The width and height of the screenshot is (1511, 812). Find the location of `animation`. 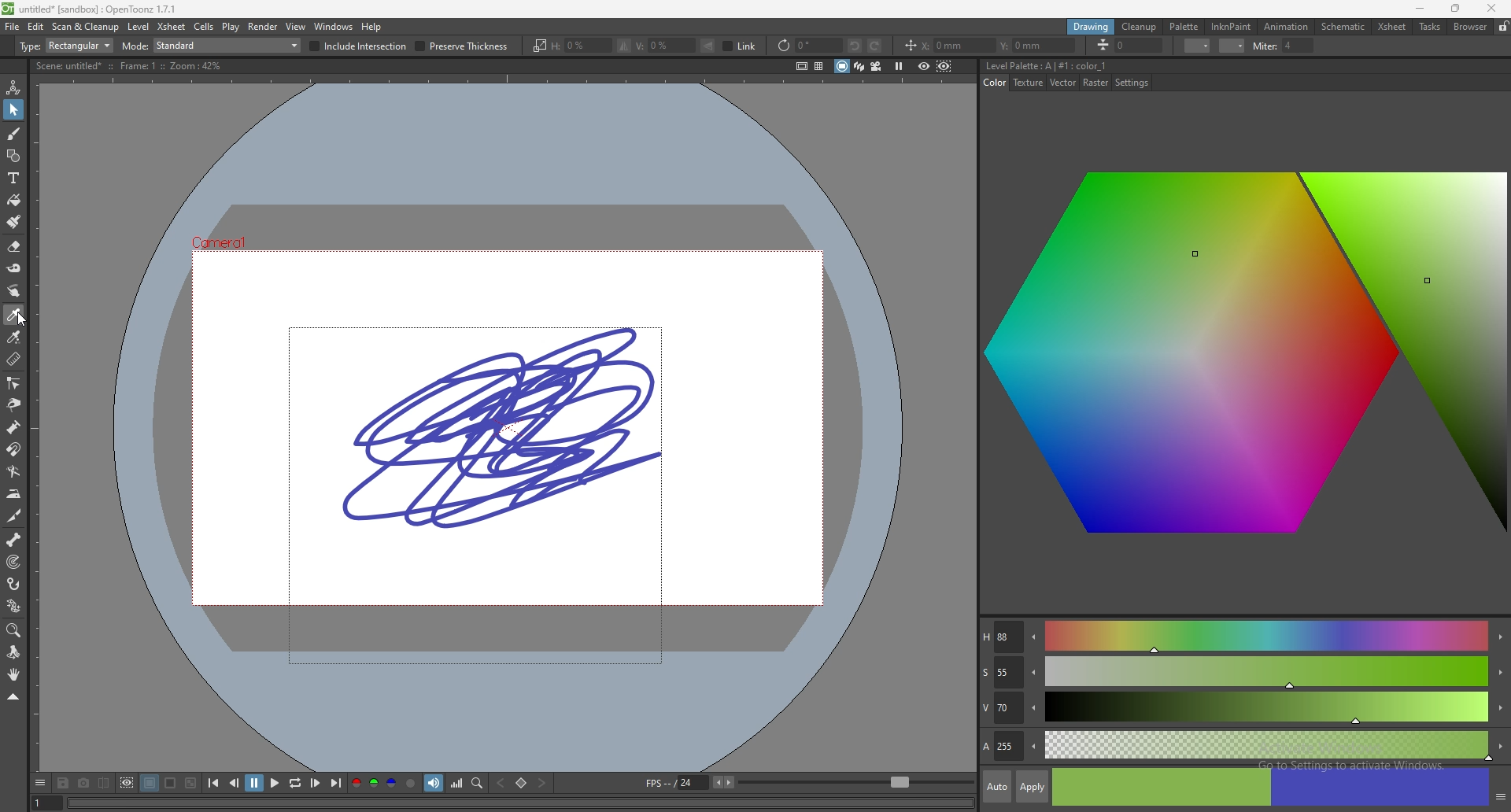

animation is located at coordinates (1287, 27).